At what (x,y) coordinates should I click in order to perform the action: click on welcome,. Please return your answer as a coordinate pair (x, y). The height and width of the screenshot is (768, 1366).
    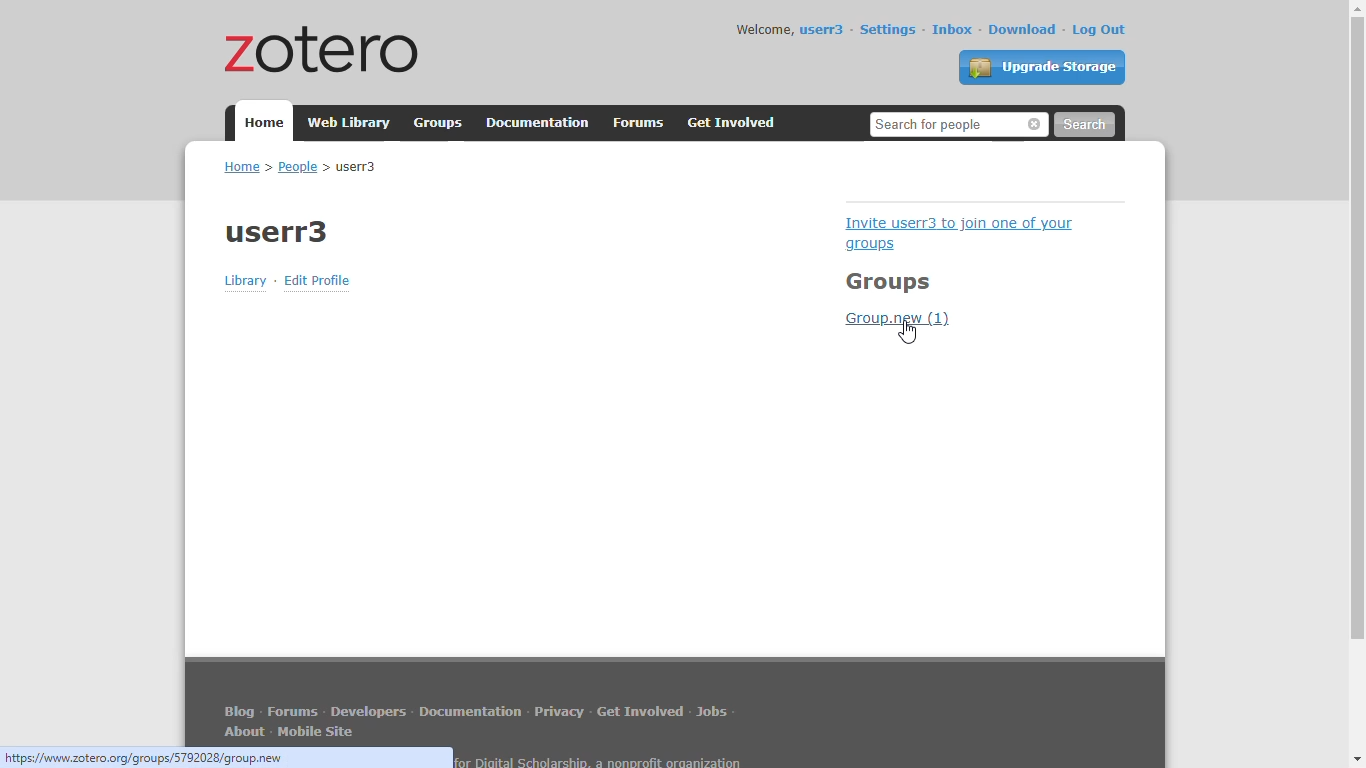
    Looking at the image, I should click on (765, 29).